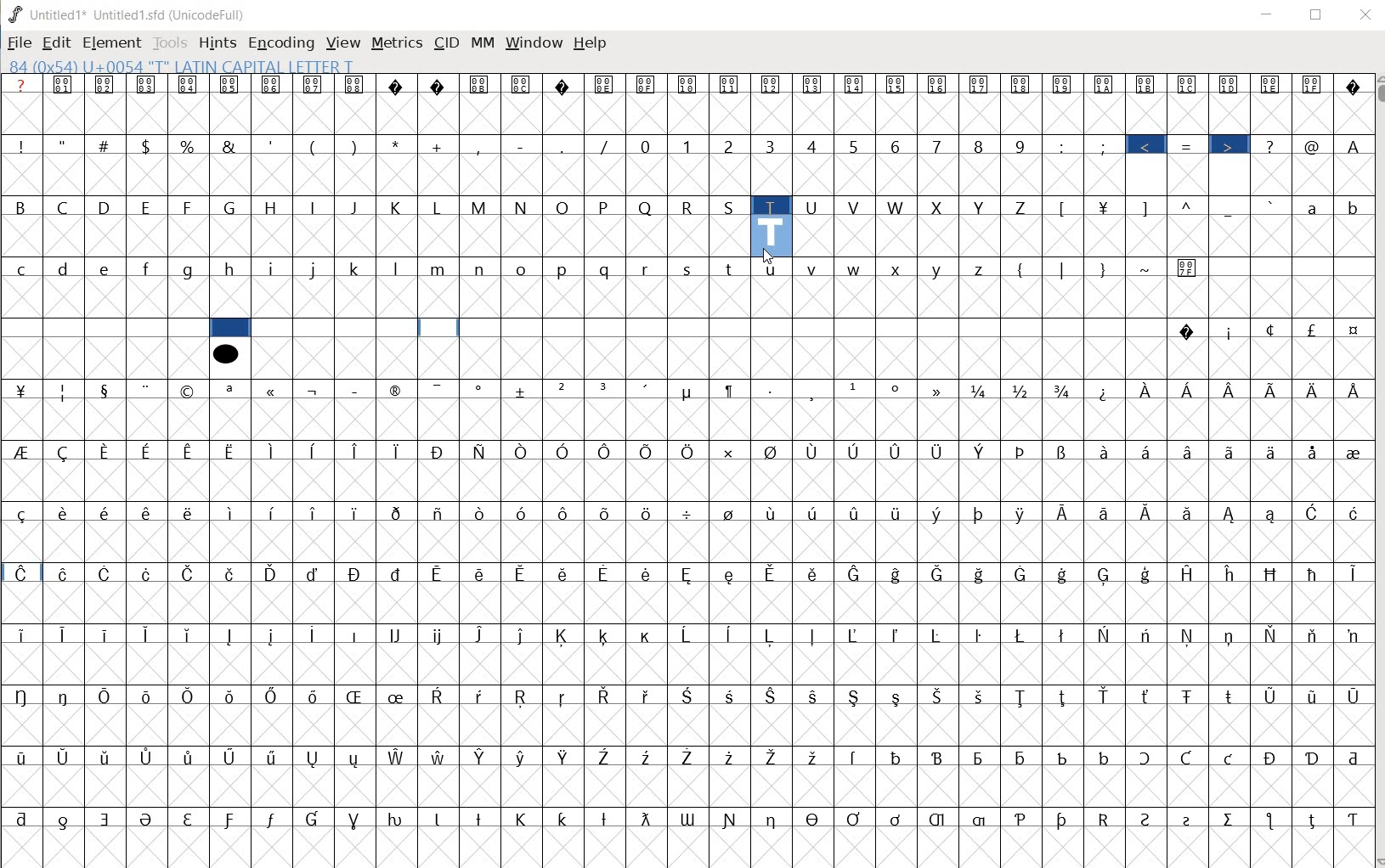 The image size is (1385, 868). Describe the element at coordinates (314, 451) in the screenshot. I see `Symbol` at that location.